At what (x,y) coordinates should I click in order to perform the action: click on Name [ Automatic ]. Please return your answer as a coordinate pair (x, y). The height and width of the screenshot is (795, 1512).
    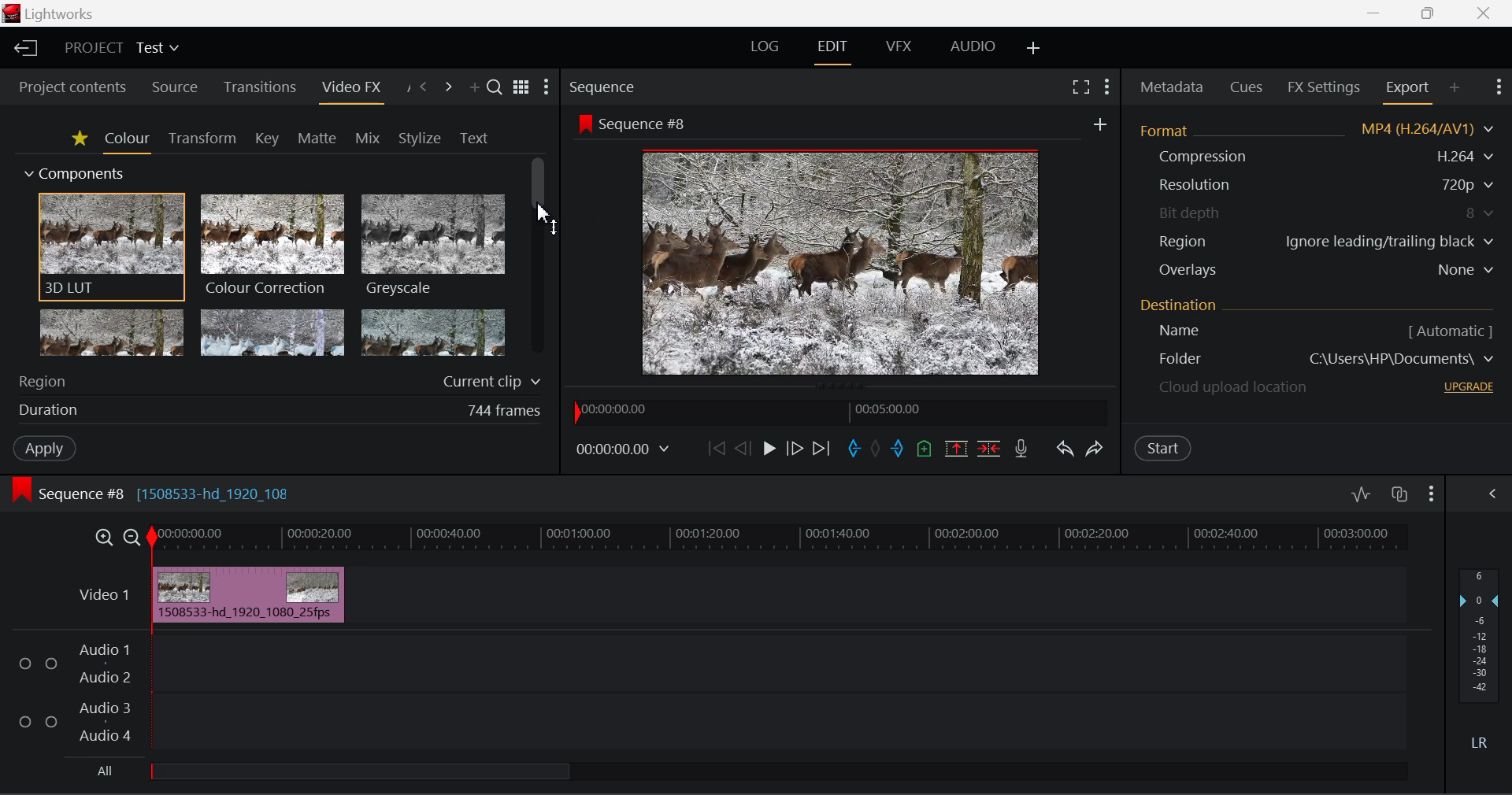
    Looking at the image, I should click on (1173, 331).